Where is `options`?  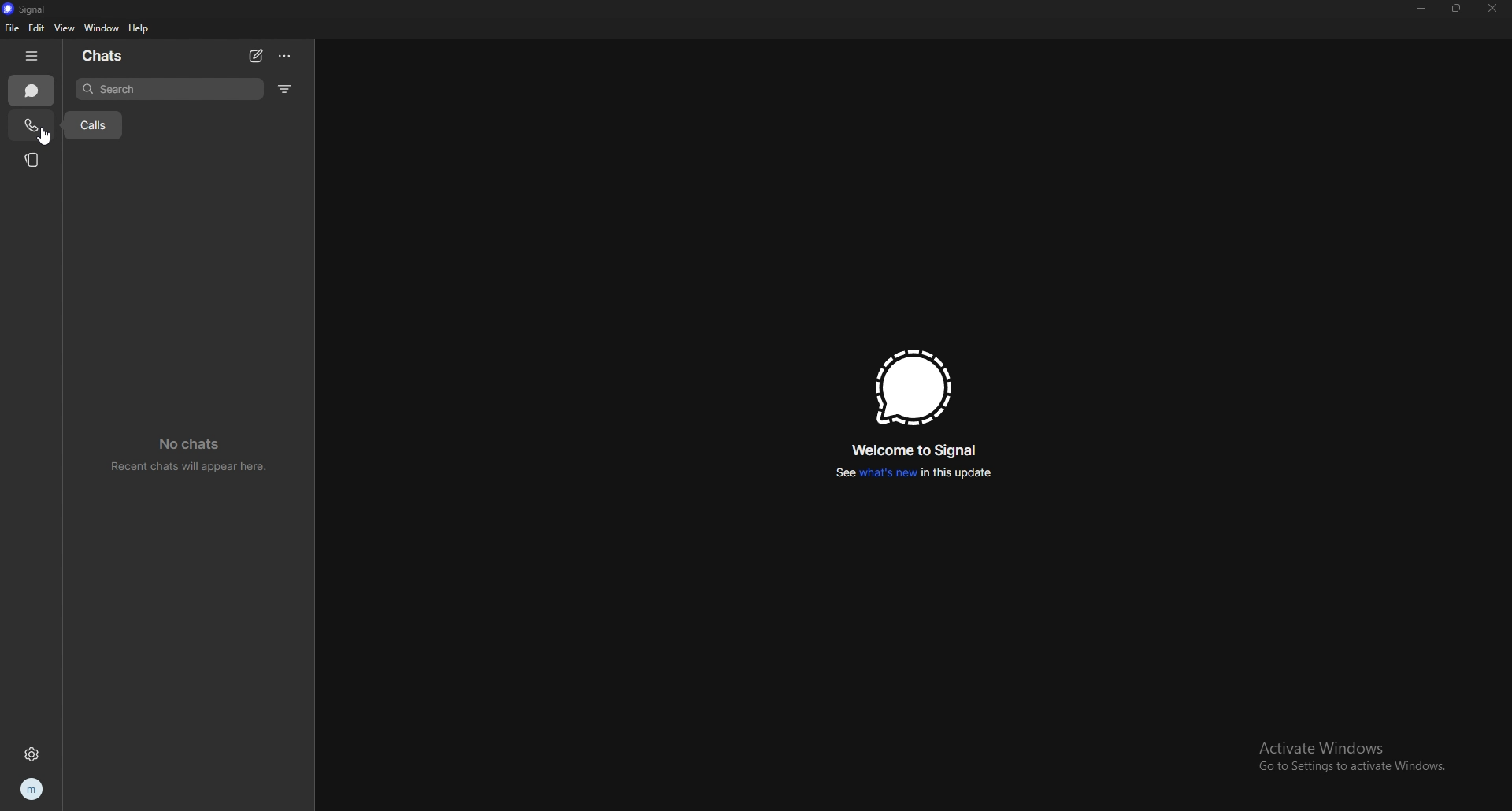 options is located at coordinates (286, 56).